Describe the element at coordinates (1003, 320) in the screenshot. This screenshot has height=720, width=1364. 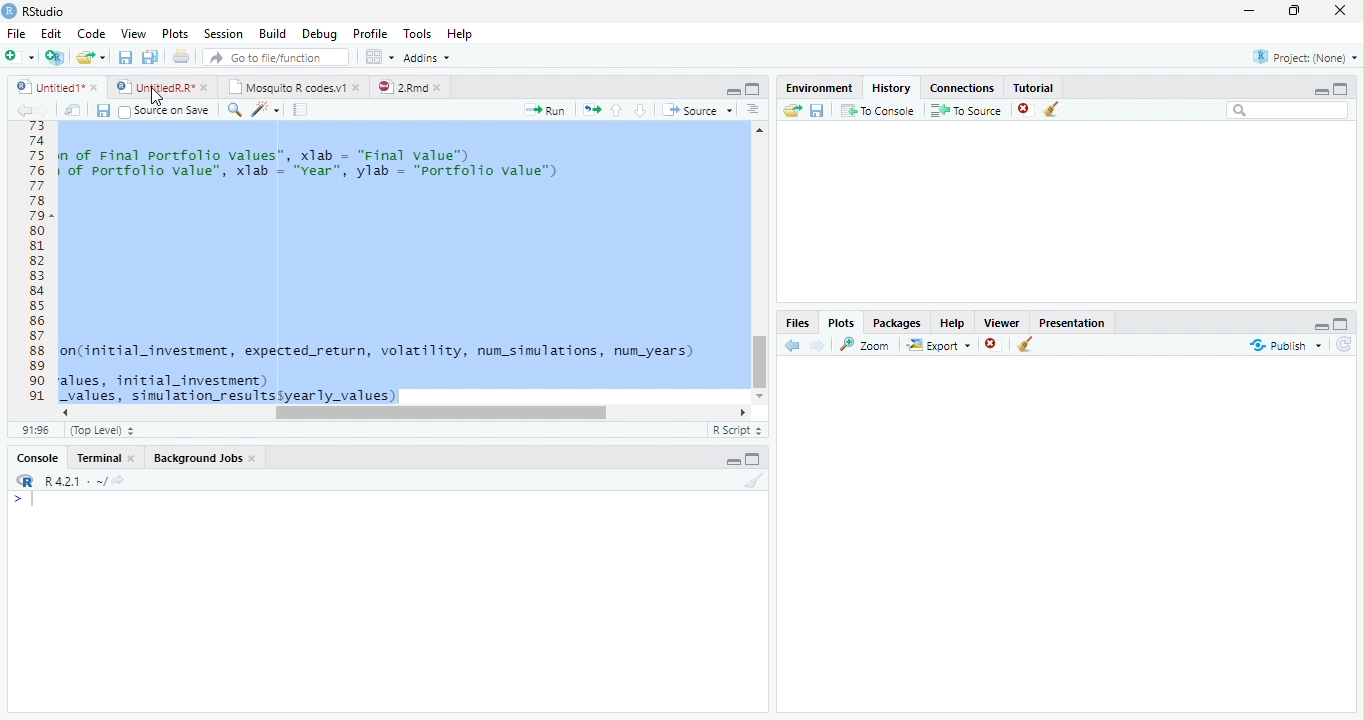
I see `Viewer` at that location.